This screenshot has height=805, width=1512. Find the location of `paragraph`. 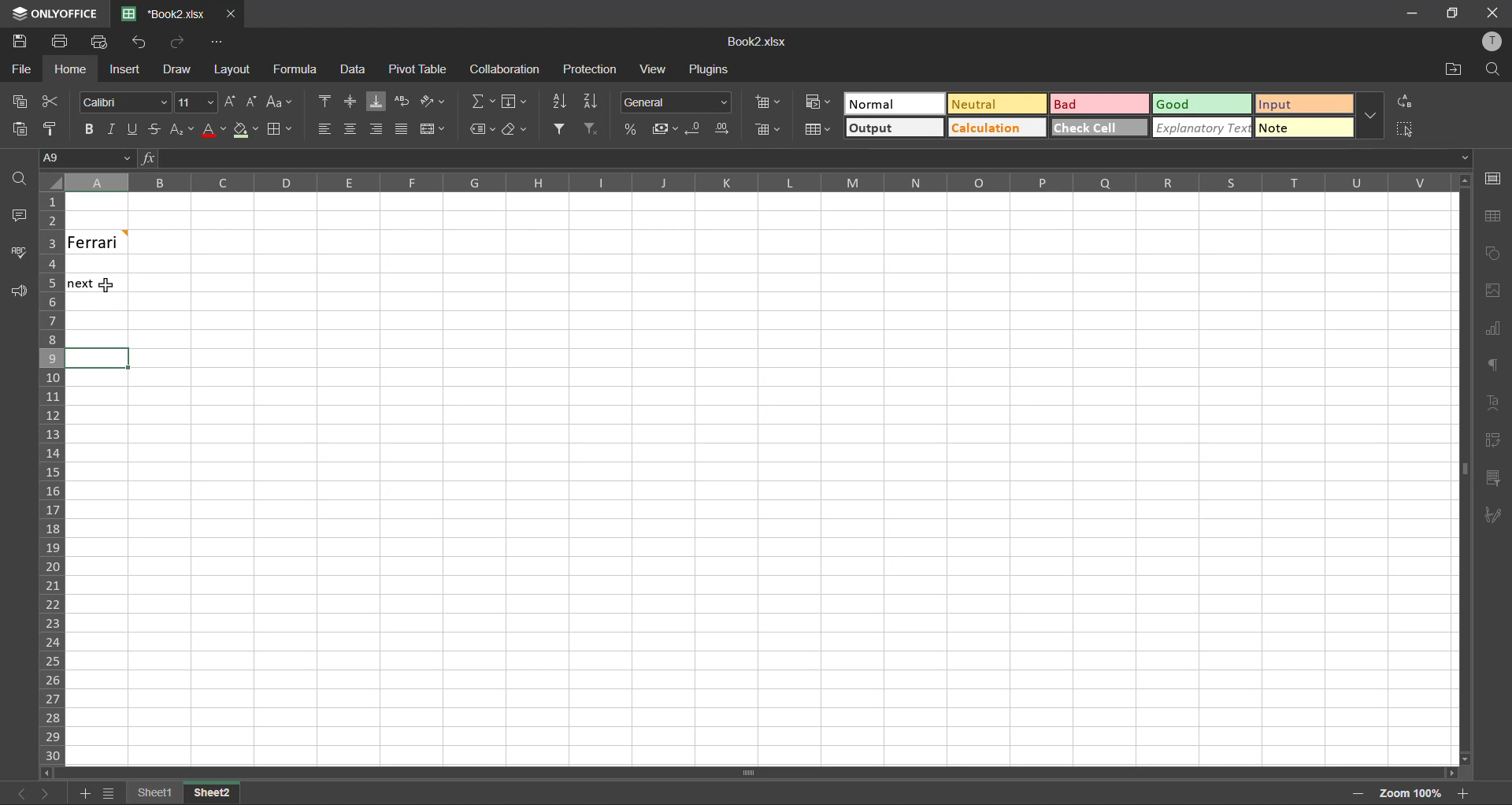

paragraph is located at coordinates (1494, 367).